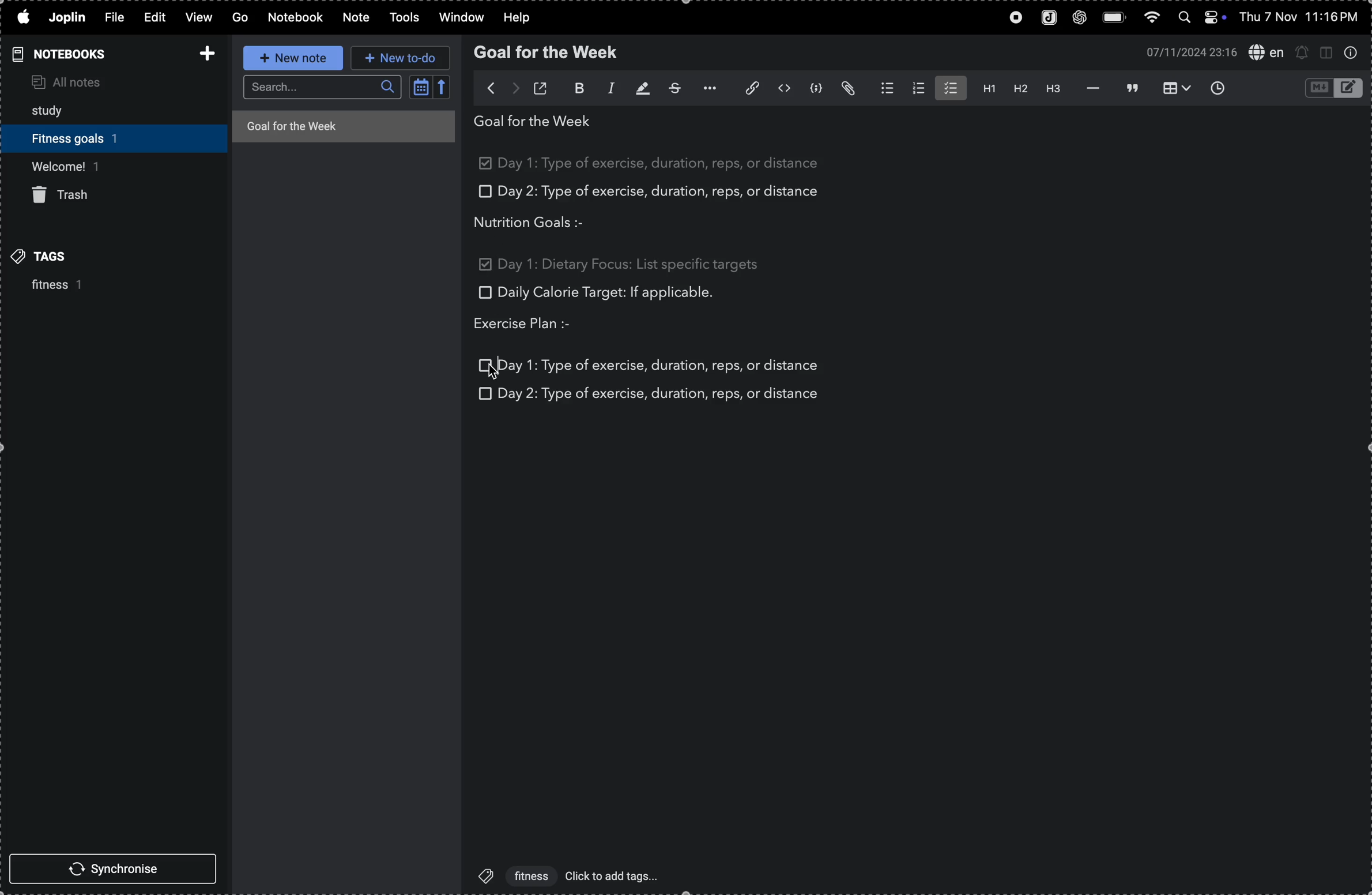 This screenshot has height=895, width=1372. I want to click on goal for the week, so click(549, 52).